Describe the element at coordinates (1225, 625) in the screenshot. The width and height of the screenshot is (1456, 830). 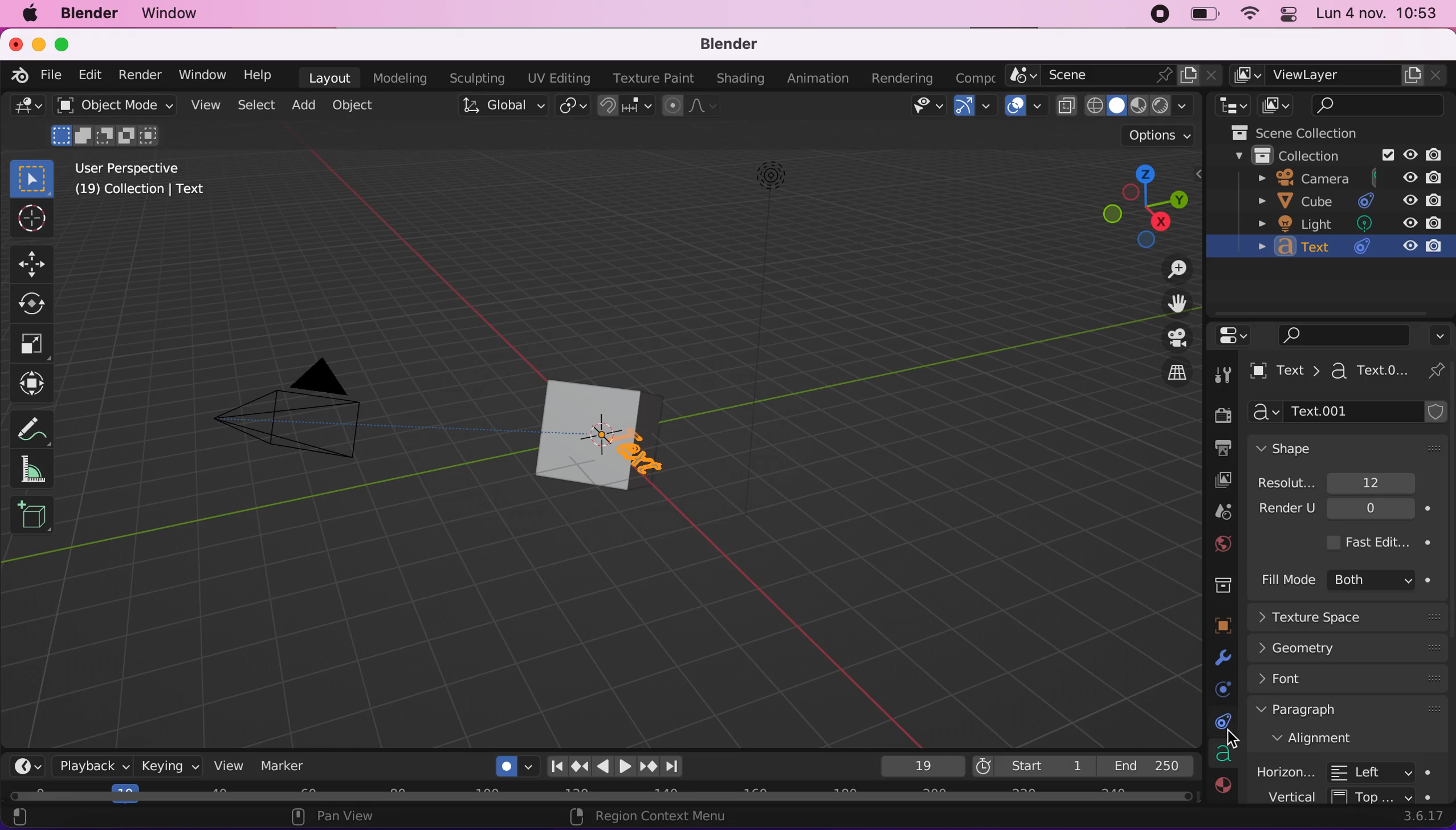
I see `objects` at that location.